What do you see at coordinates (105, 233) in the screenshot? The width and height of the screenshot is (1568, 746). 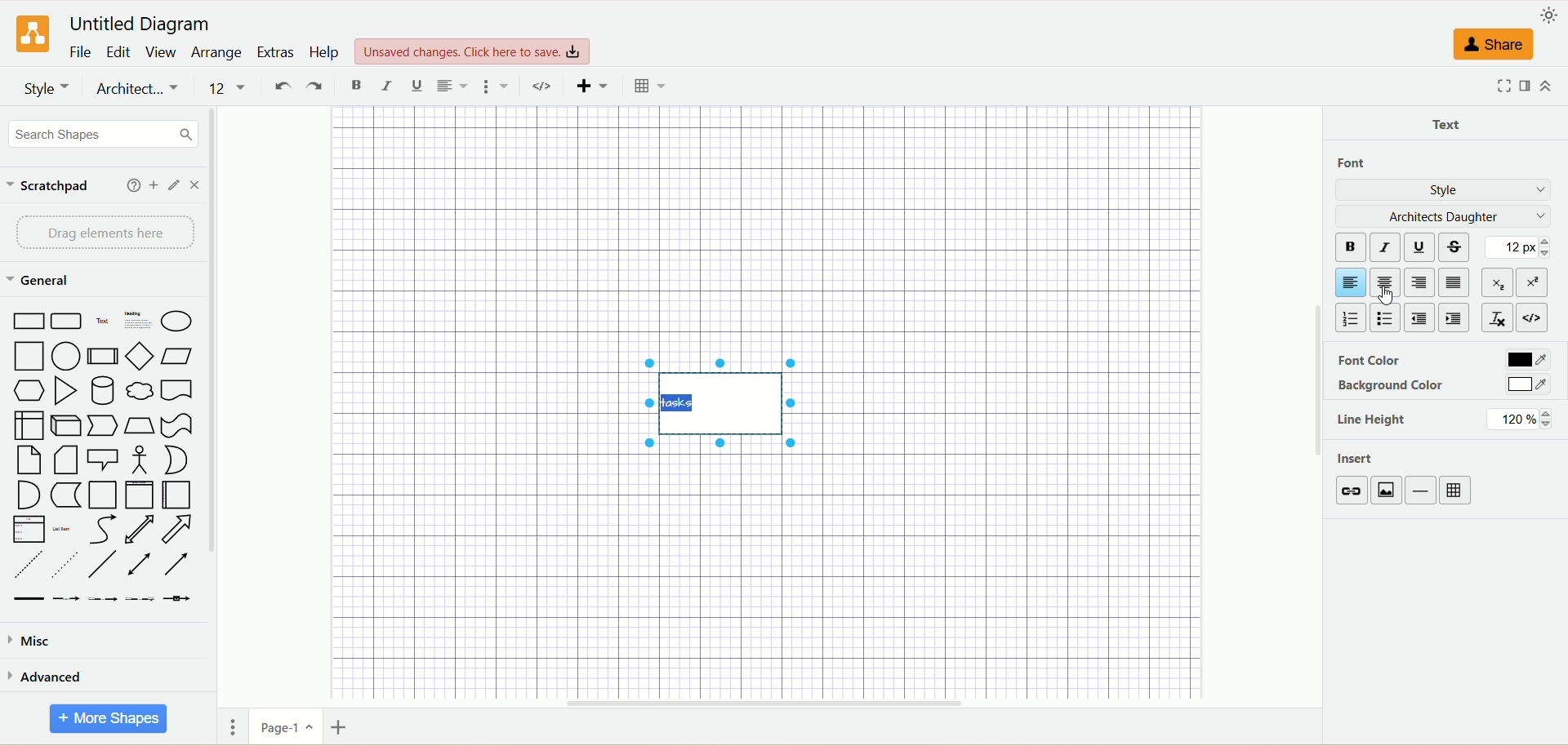 I see `drag elements here` at bounding box center [105, 233].